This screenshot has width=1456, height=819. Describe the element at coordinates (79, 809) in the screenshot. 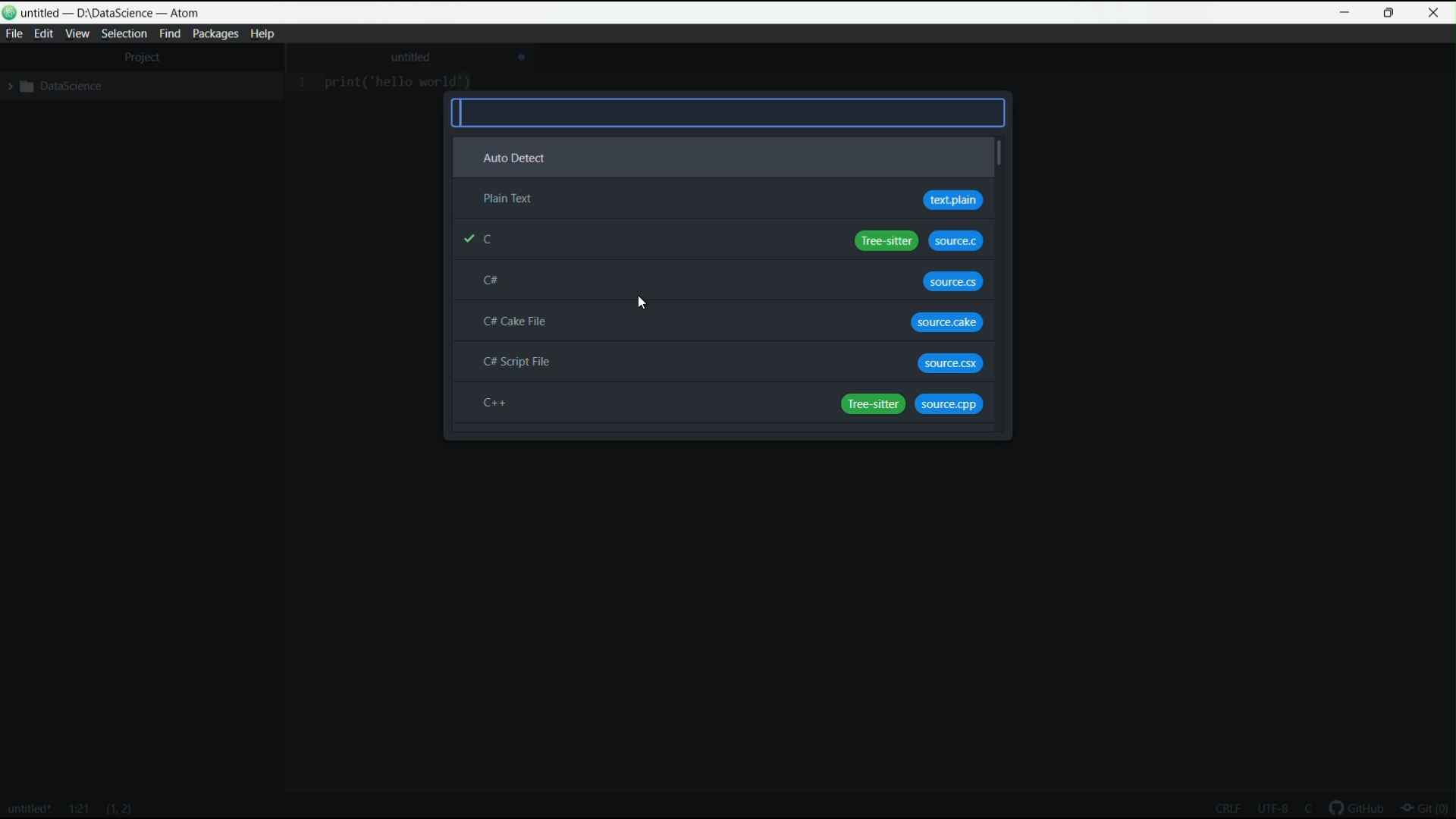

I see `line and column` at that location.